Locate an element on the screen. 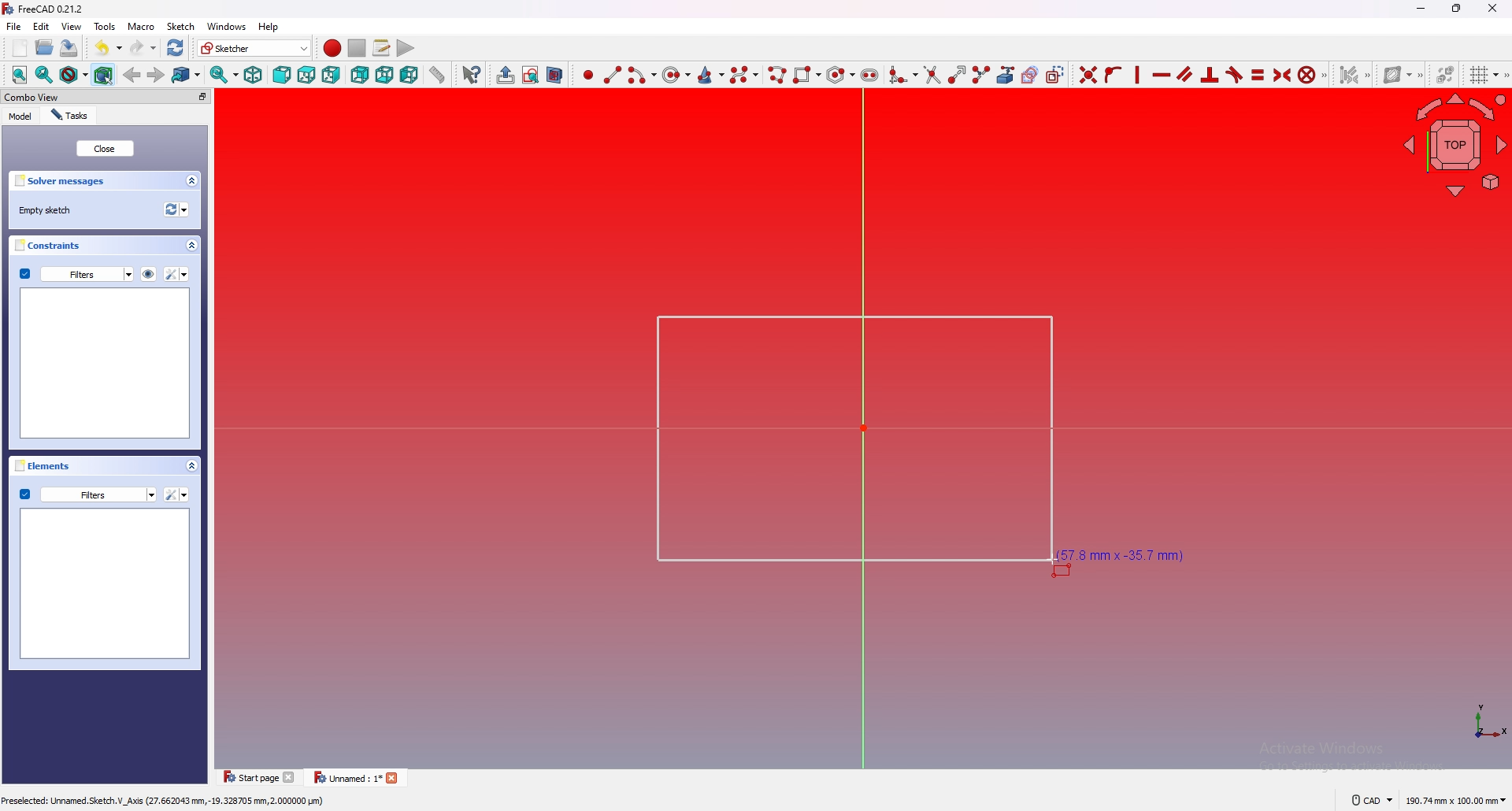  view sketch is located at coordinates (532, 75).